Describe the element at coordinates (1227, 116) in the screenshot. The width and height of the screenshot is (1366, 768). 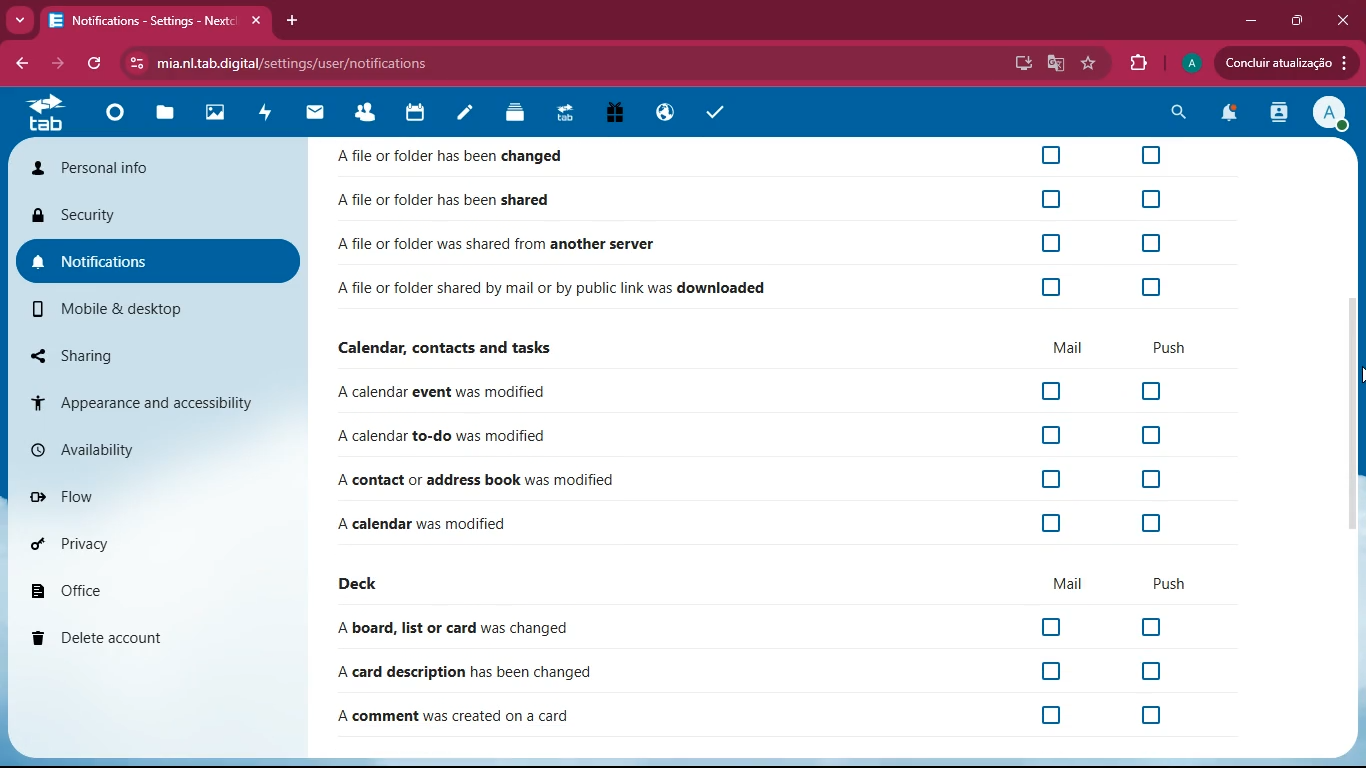
I see `notifications` at that location.